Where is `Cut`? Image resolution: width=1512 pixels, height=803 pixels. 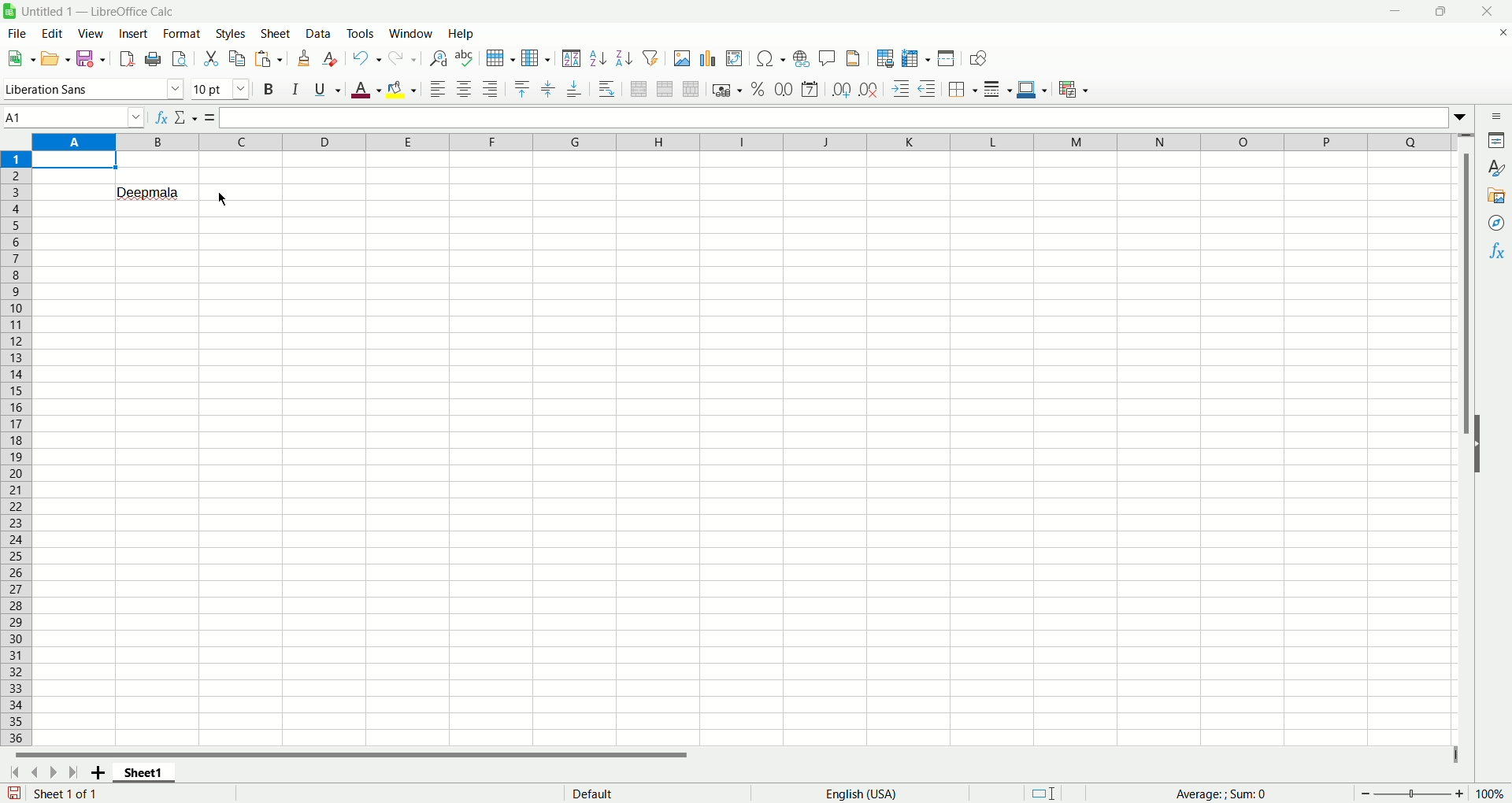
Cut is located at coordinates (212, 59).